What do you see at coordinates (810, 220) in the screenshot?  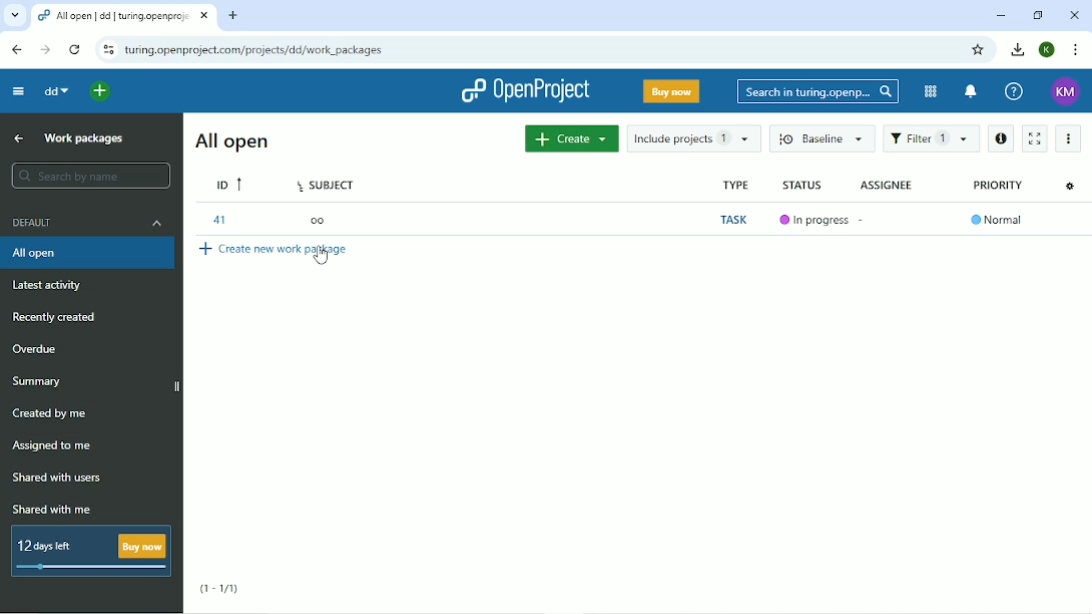 I see `In progress` at bounding box center [810, 220].